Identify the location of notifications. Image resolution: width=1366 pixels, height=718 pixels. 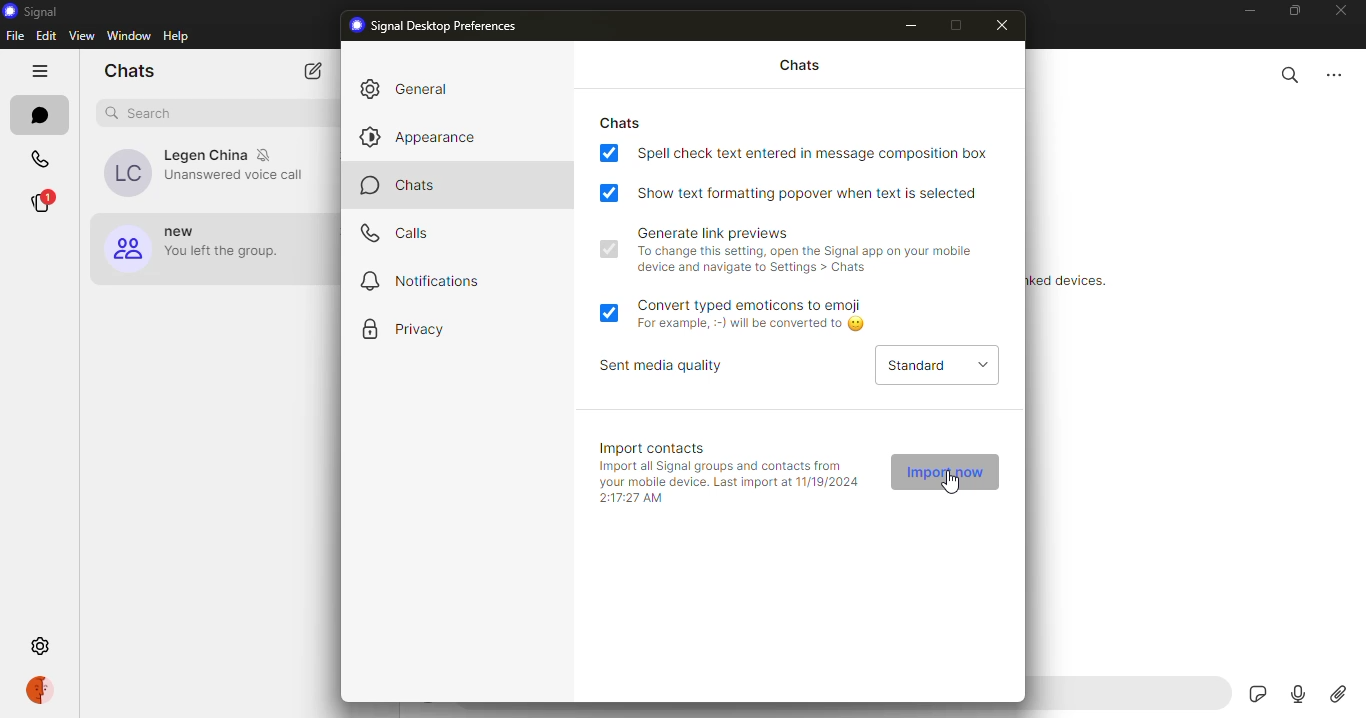
(428, 279).